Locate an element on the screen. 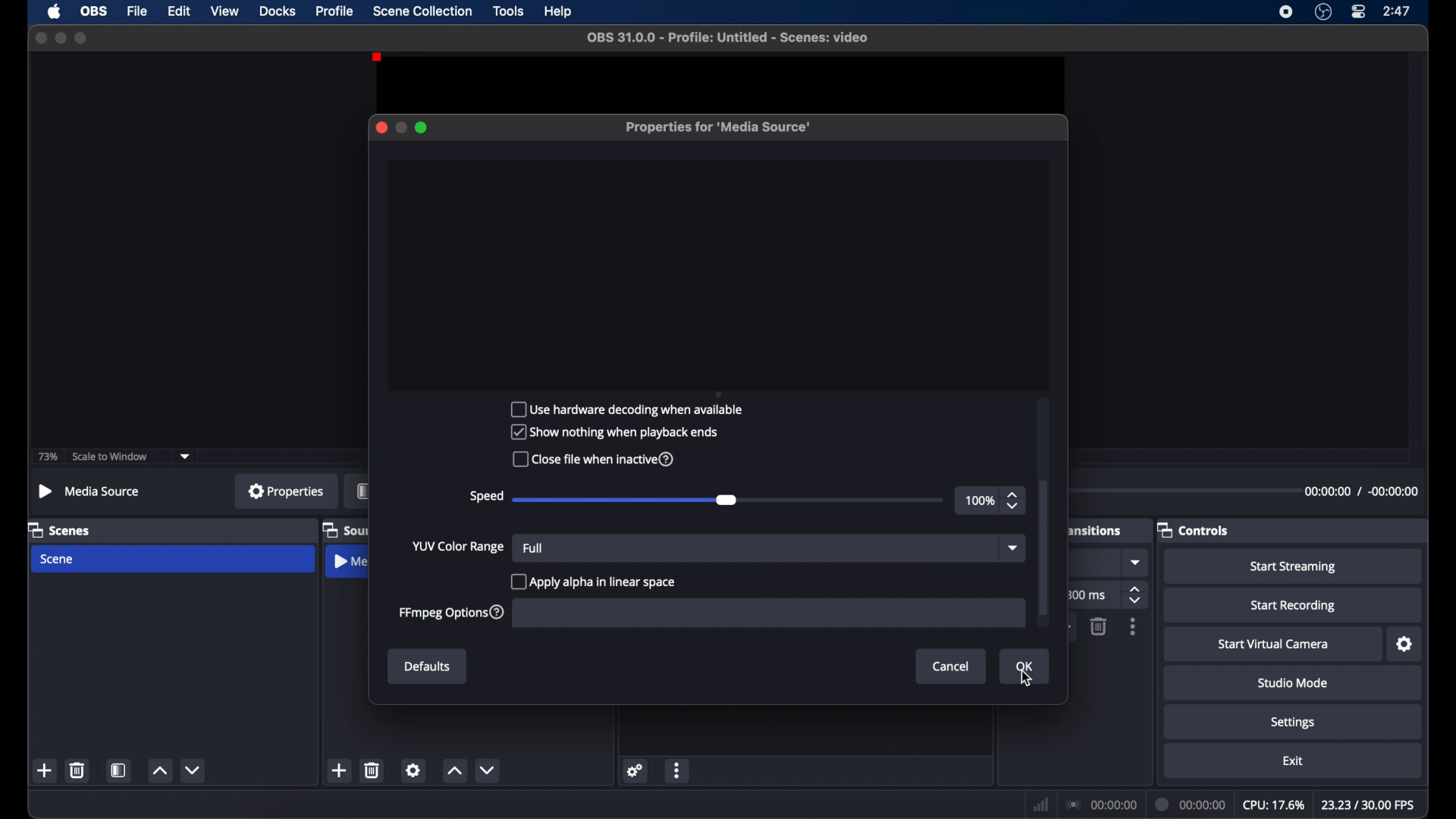 The height and width of the screenshot is (819, 1456). edit is located at coordinates (179, 11).